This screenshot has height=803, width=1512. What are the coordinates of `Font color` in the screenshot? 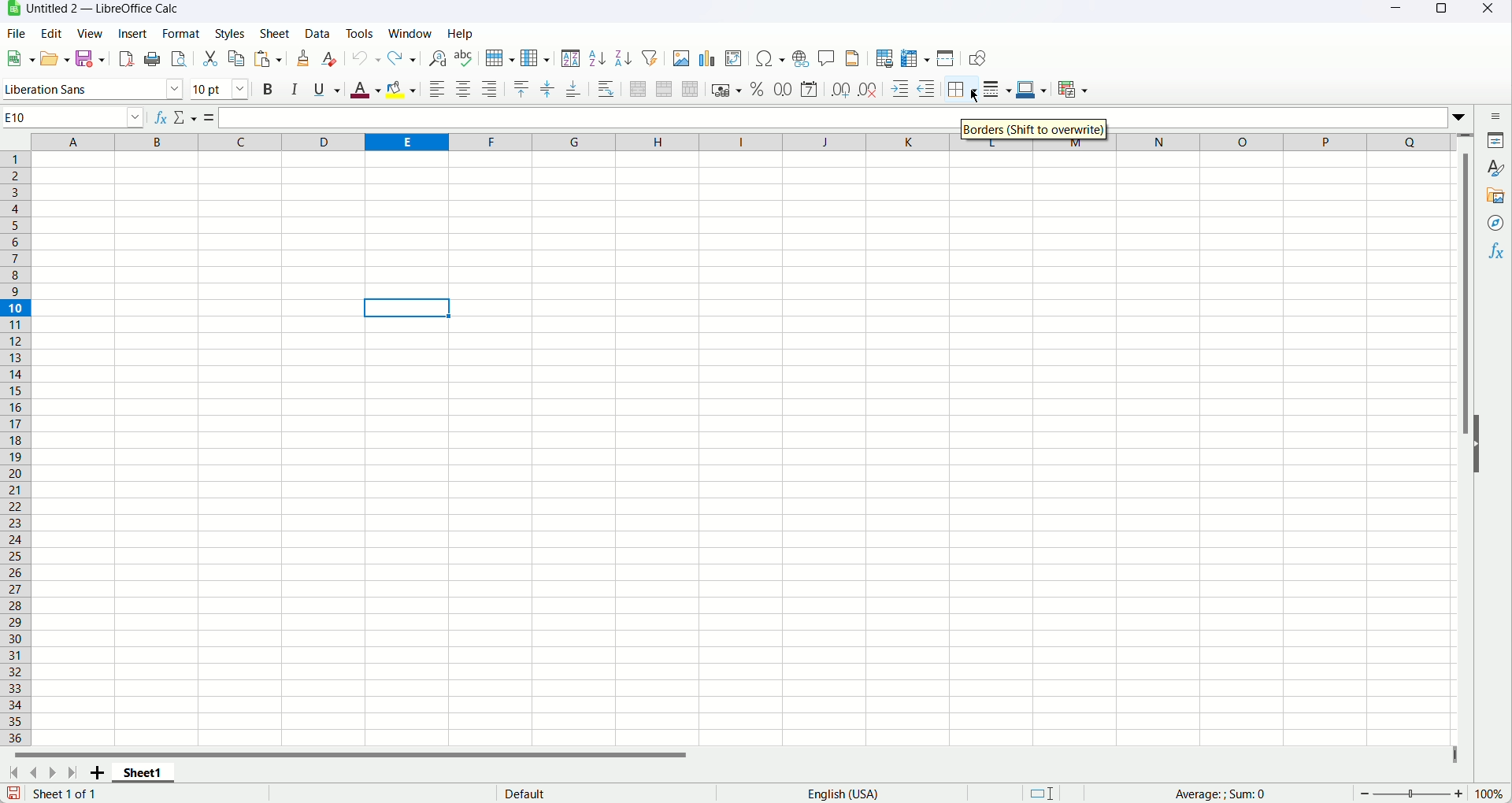 It's located at (365, 89).